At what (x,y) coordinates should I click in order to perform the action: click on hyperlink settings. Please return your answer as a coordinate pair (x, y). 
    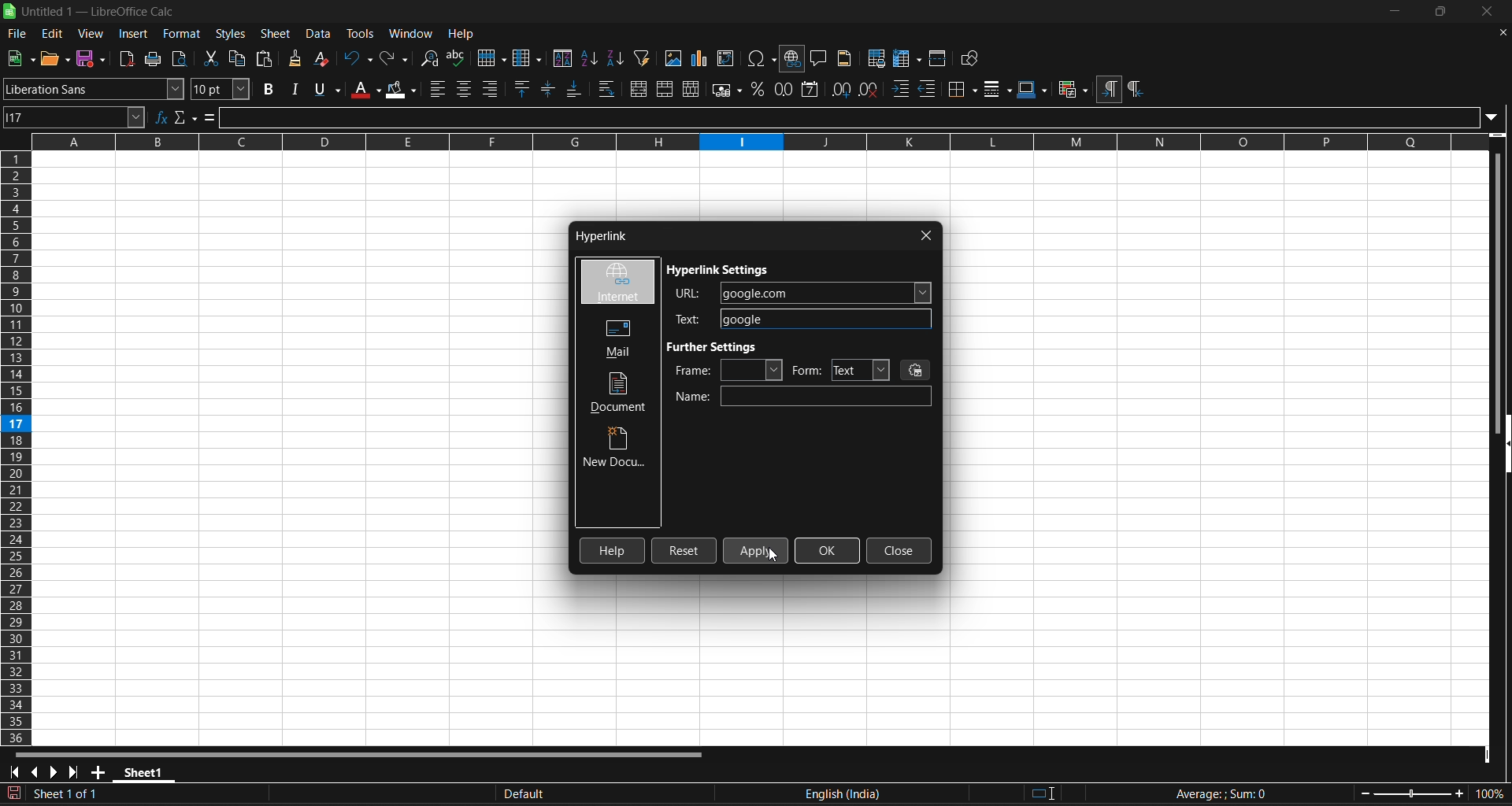
    Looking at the image, I should click on (721, 271).